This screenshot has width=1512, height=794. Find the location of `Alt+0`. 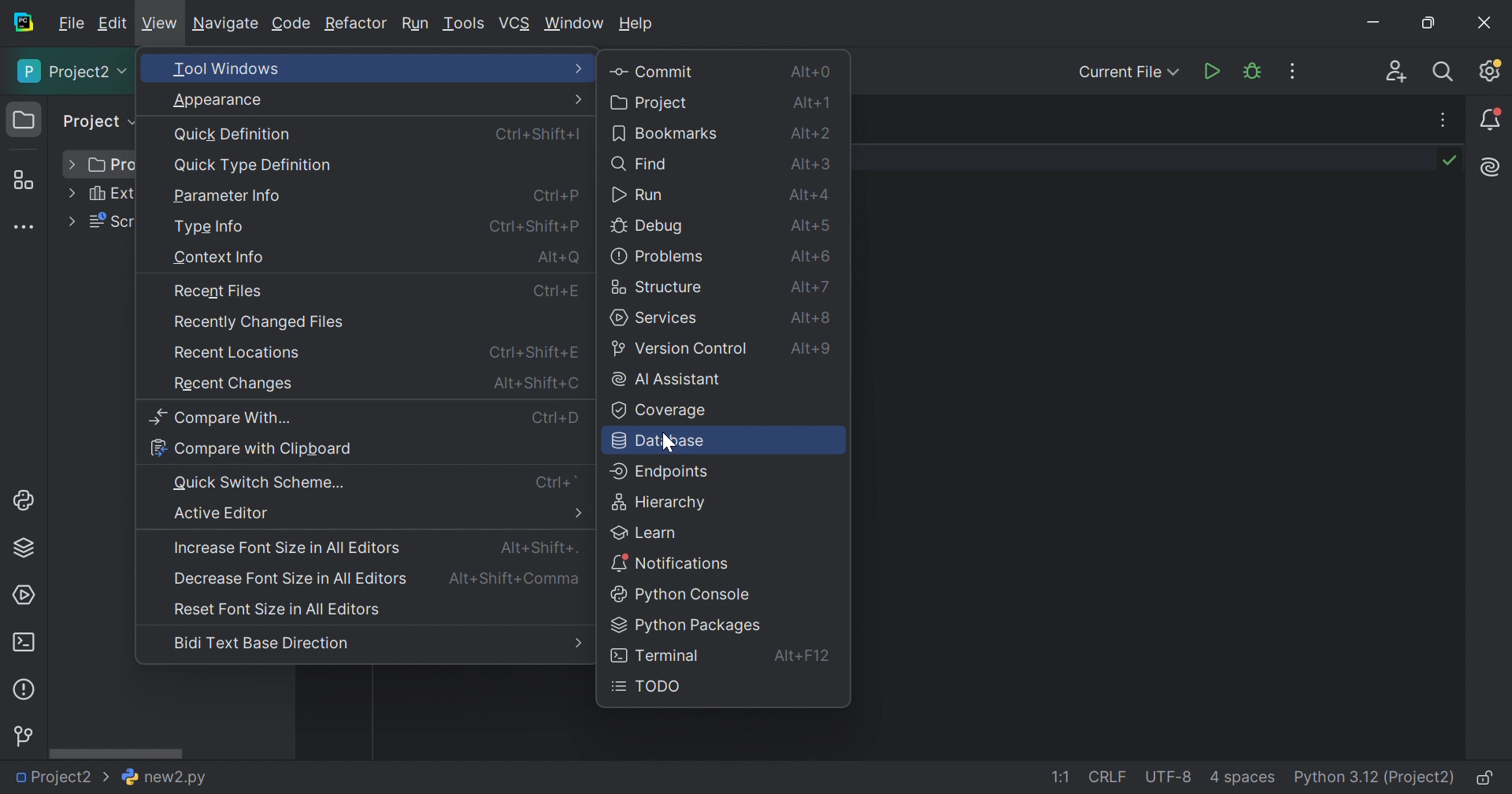

Alt+0 is located at coordinates (812, 71).